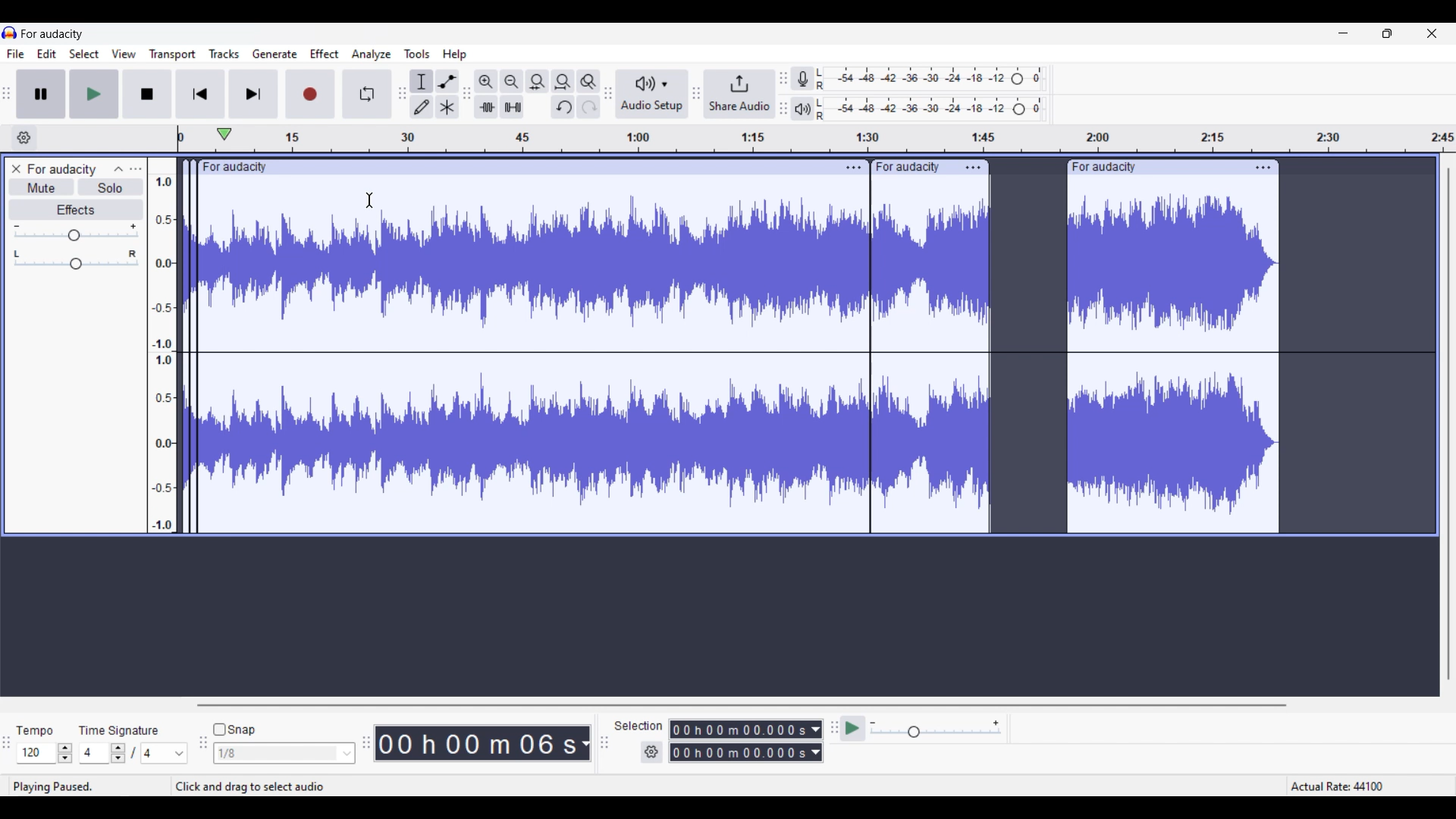 This screenshot has width=1456, height=819. I want to click on Select menu, so click(84, 54).